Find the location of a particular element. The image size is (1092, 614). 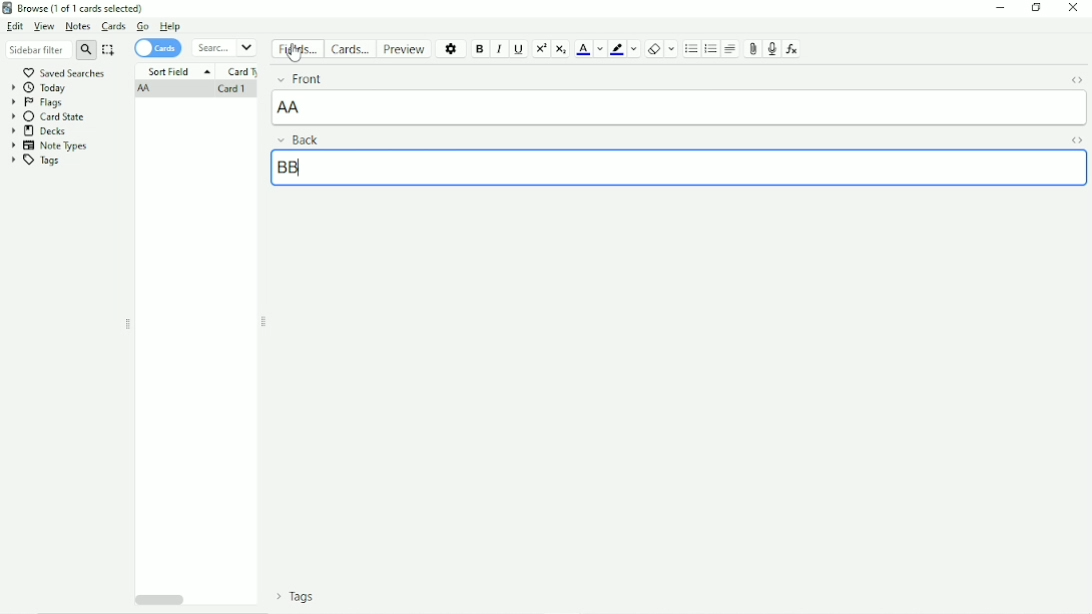

Front is located at coordinates (299, 78).